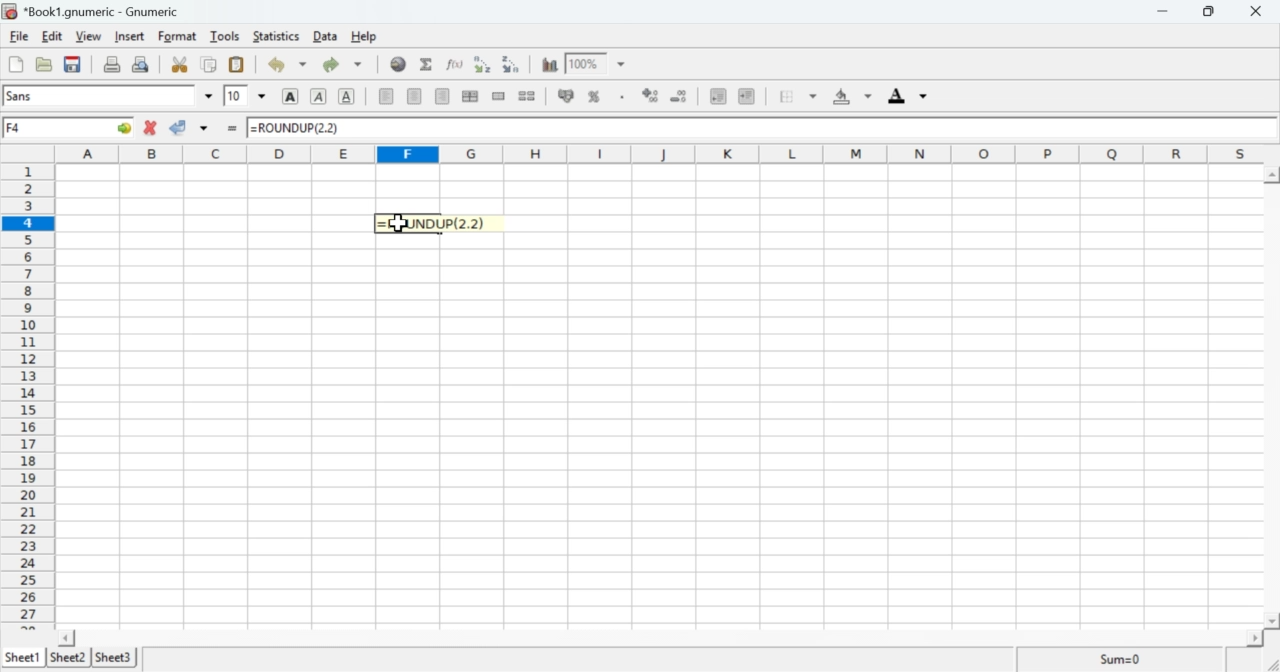  Describe the element at coordinates (23, 652) in the screenshot. I see `Sheet1` at that location.